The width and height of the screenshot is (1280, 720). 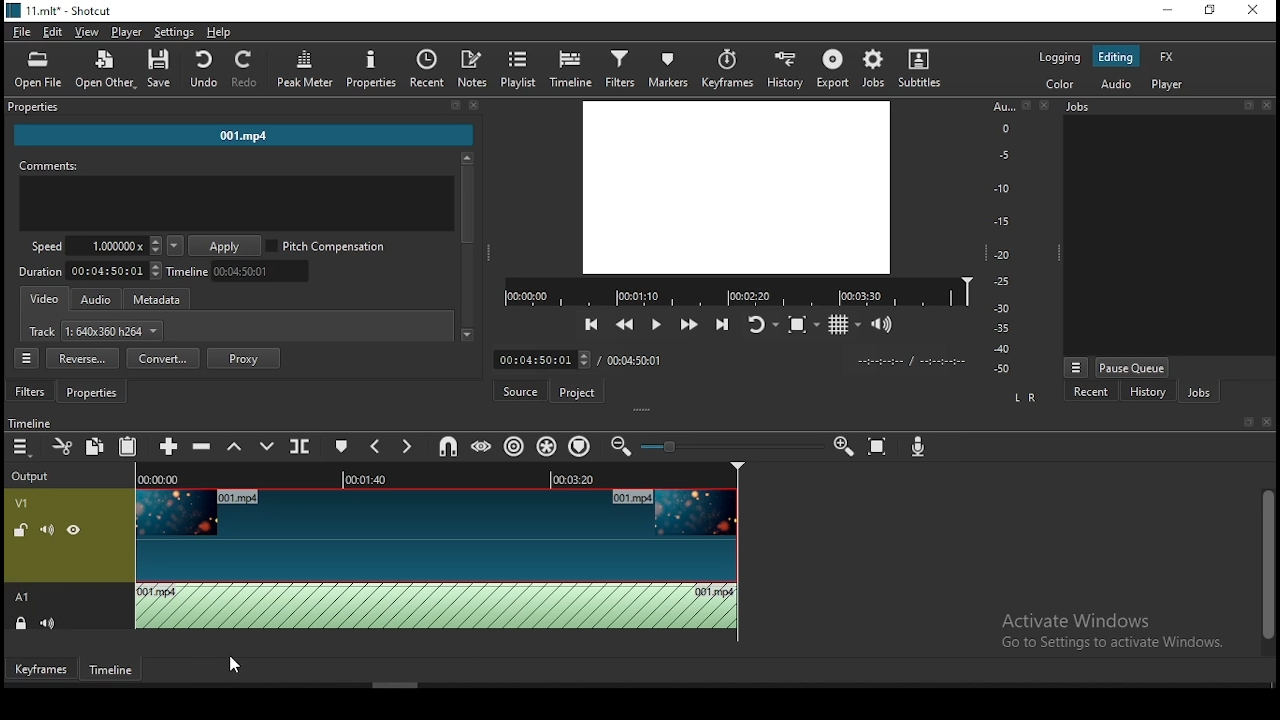 I want to click on settings, so click(x=174, y=33).